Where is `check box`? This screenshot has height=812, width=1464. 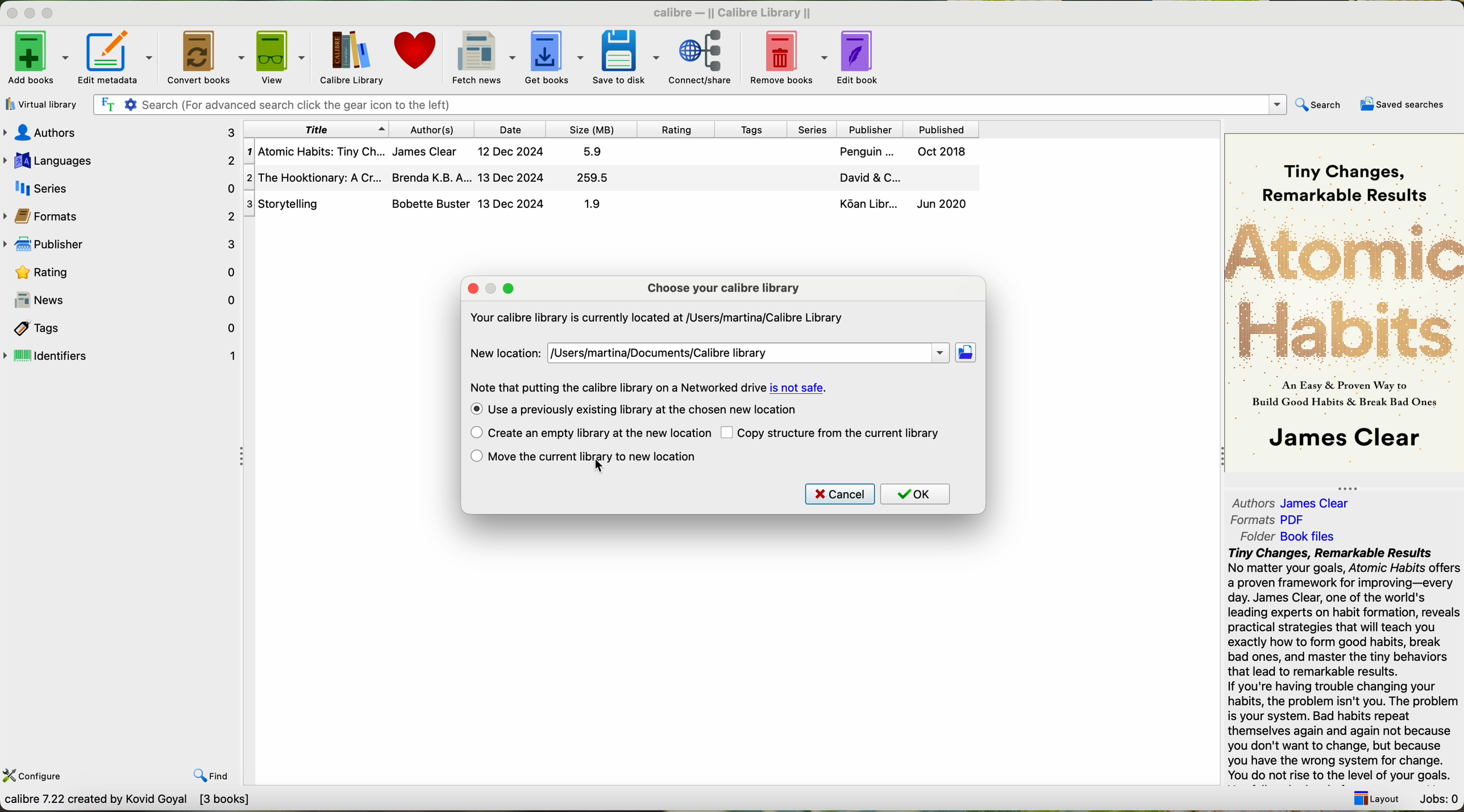 check box is located at coordinates (473, 410).